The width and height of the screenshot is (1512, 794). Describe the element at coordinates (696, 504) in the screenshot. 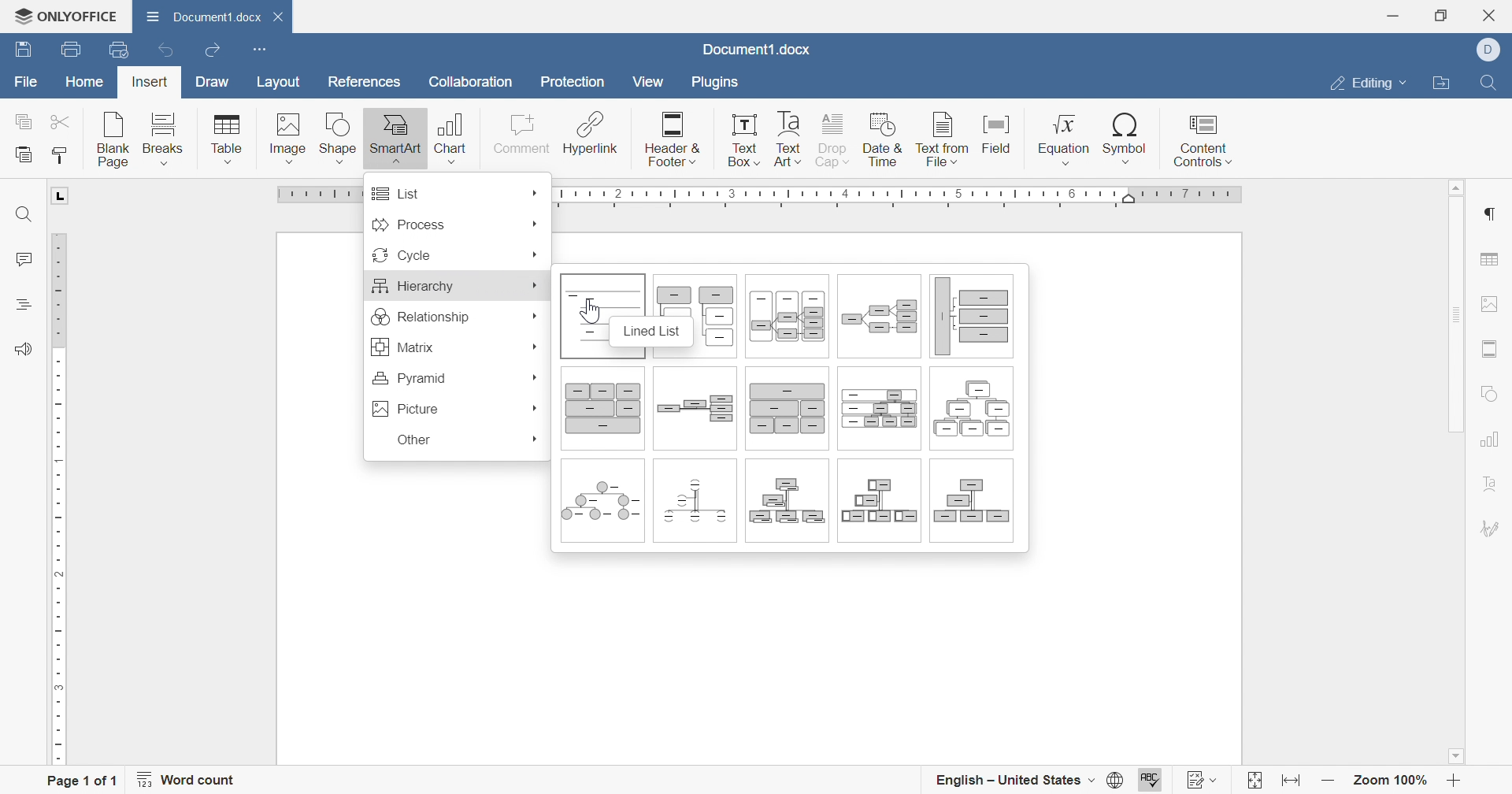

I see `Half circle organization chart` at that location.